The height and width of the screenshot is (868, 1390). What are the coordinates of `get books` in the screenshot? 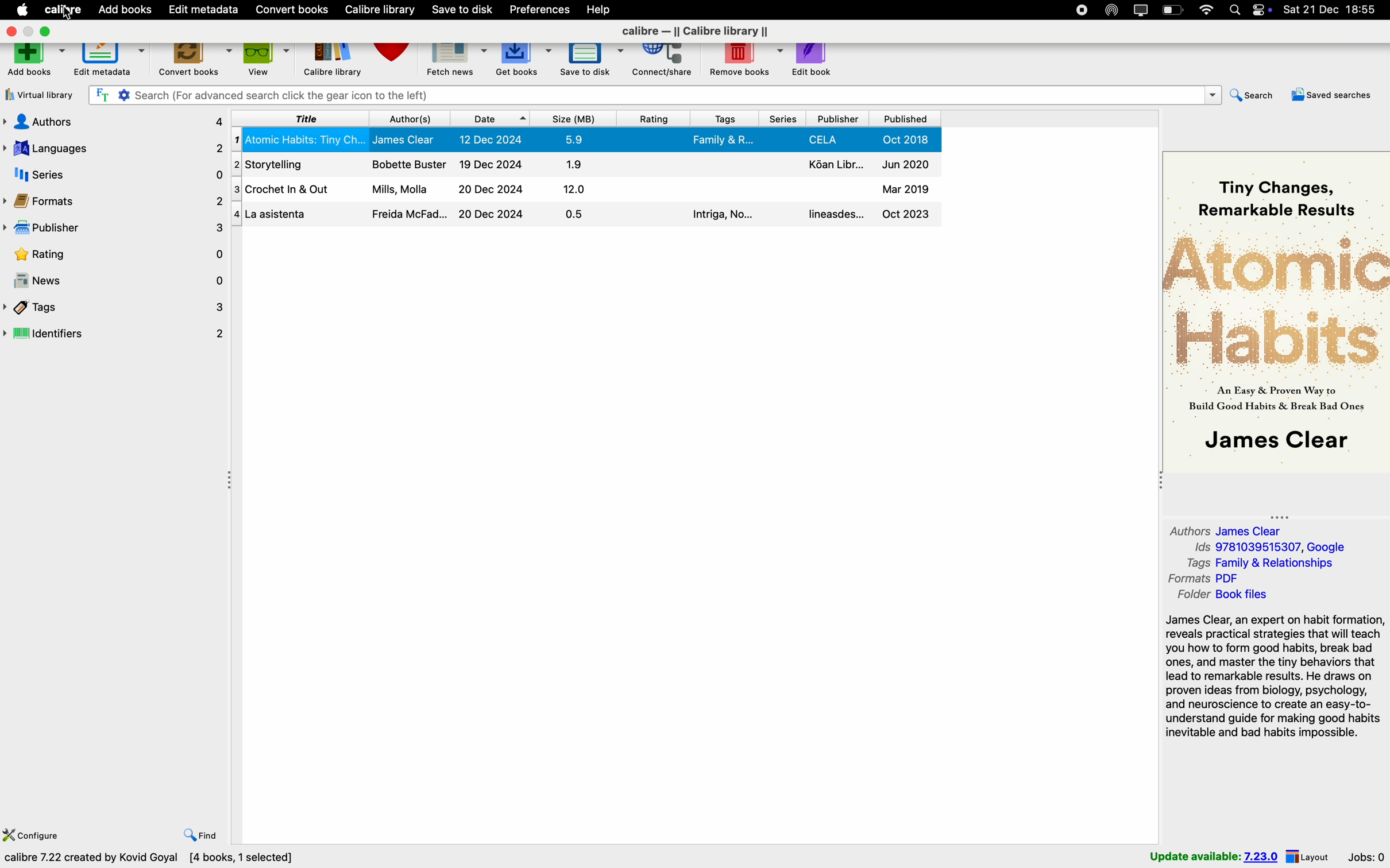 It's located at (523, 61).